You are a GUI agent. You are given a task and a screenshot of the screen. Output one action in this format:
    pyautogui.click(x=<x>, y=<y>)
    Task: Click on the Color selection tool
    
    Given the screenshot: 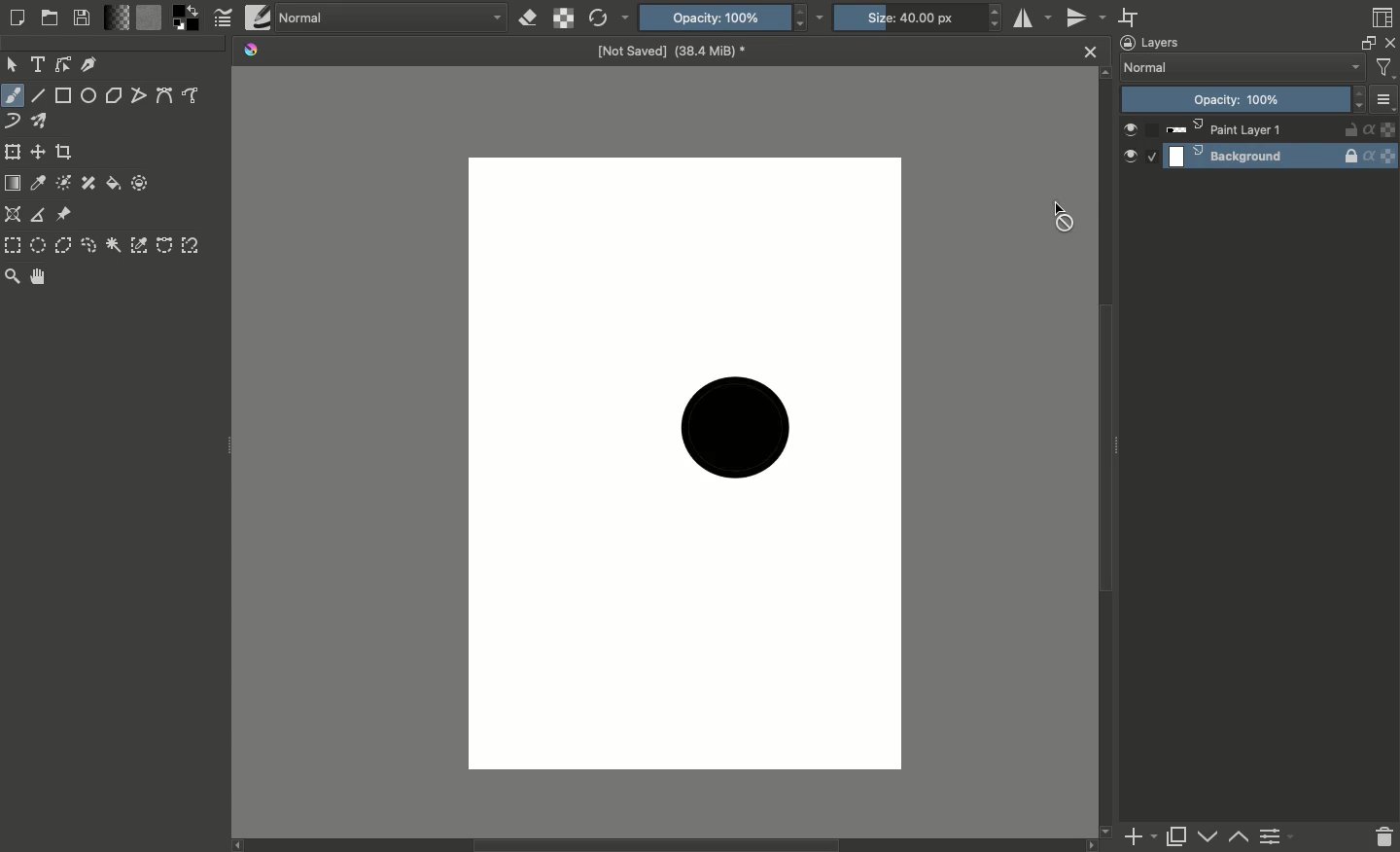 What is the action you would take?
    pyautogui.click(x=140, y=245)
    